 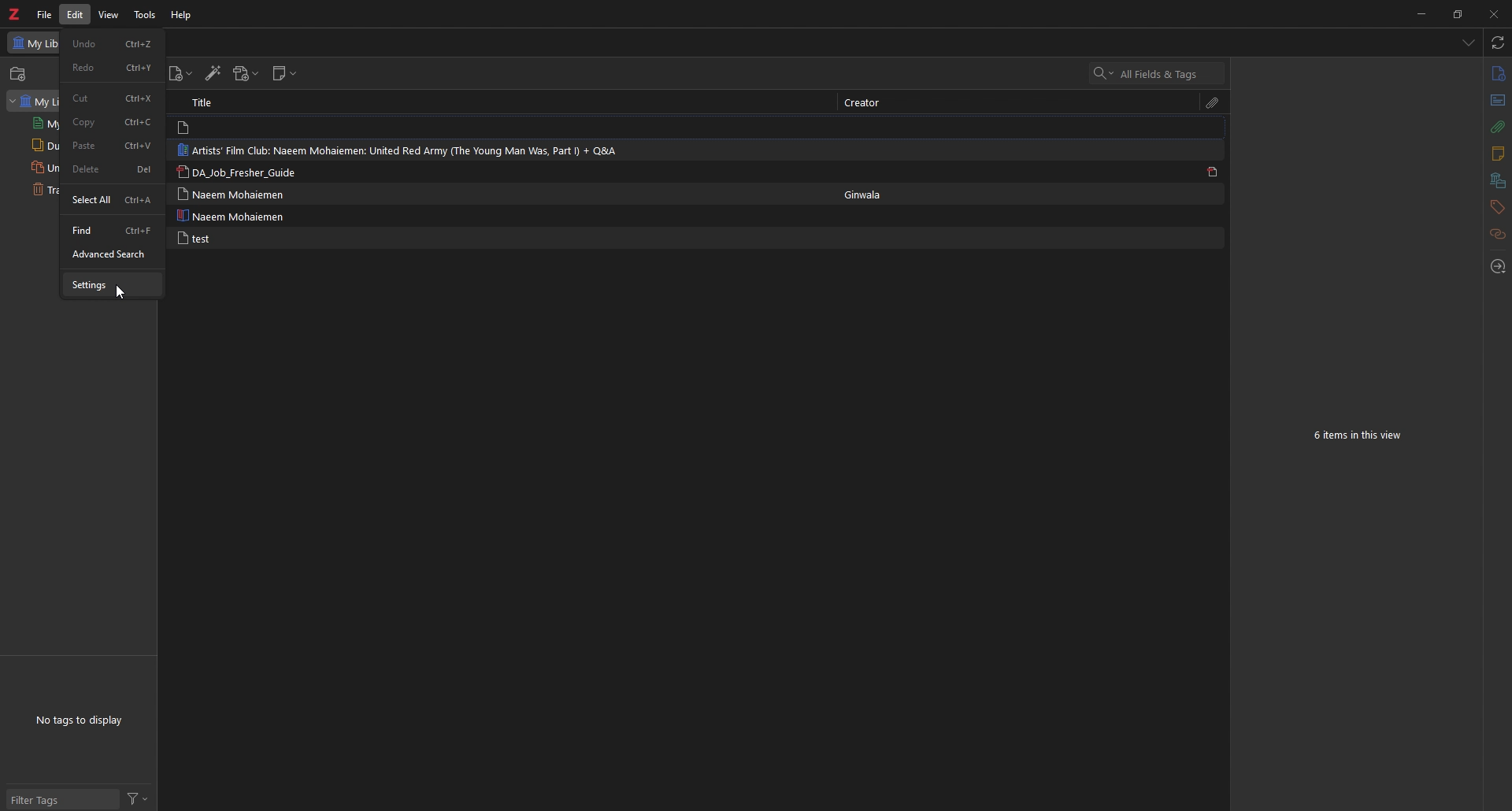 What do you see at coordinates (113, 122) in the screenshot?
I see `Copy    Ctrl+C` at bounding box center [113, 122].